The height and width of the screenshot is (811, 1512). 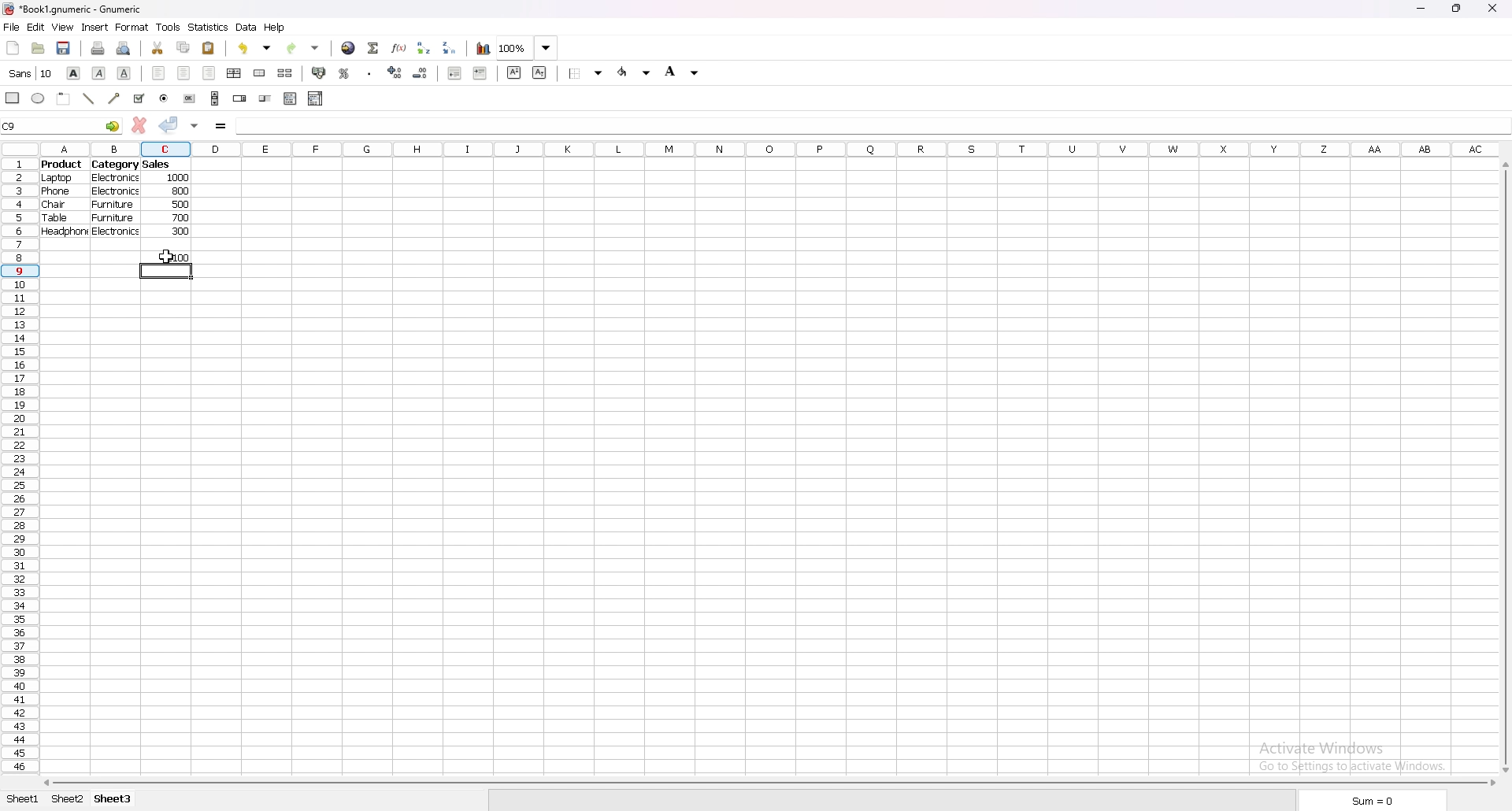 What do you see at coordinates (421, 74) in the screenshot?
I see `decrease decimal points` at bounding box center [421, 74].